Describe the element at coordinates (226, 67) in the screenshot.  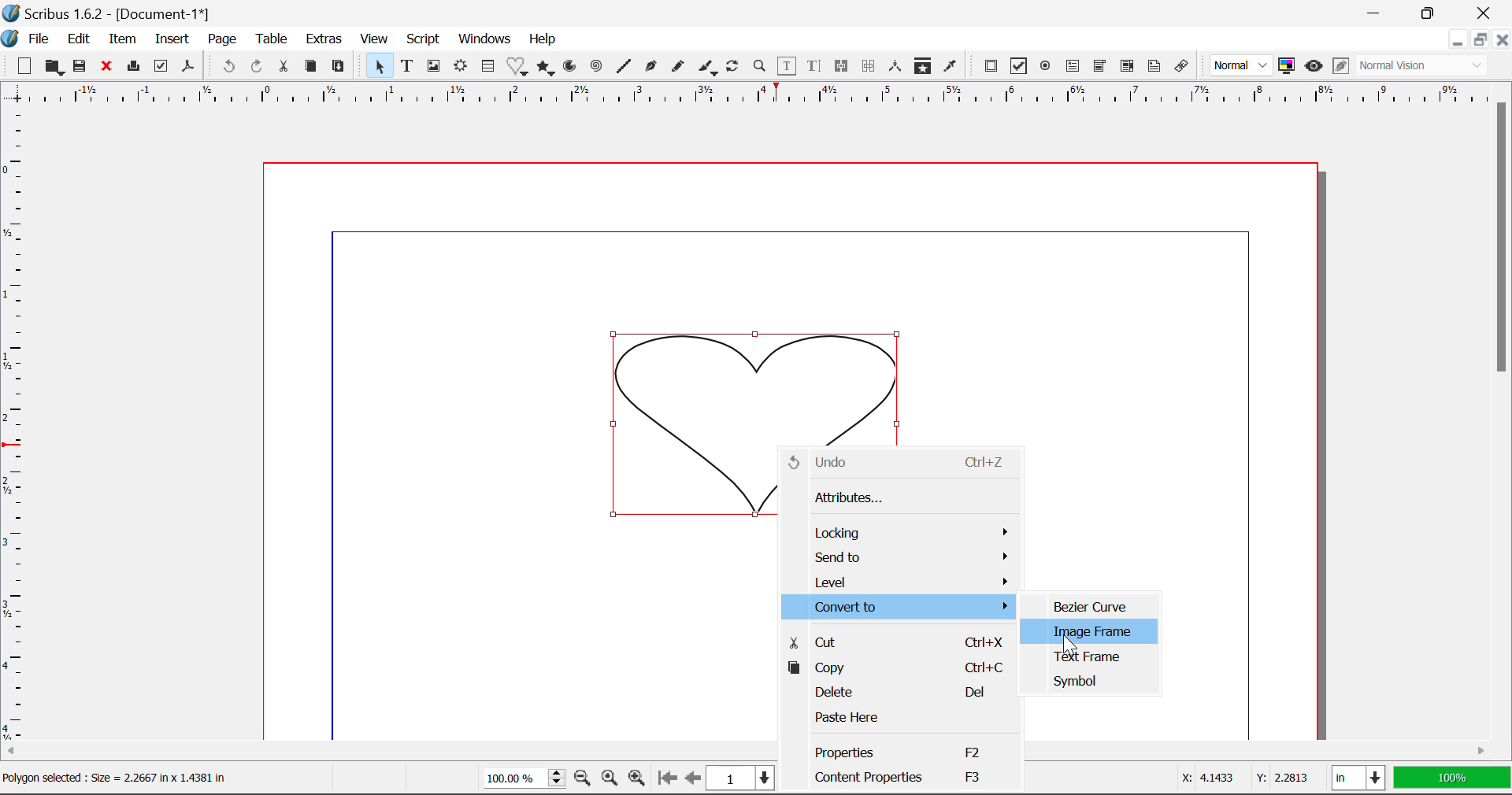
I see `Undo` at that location.